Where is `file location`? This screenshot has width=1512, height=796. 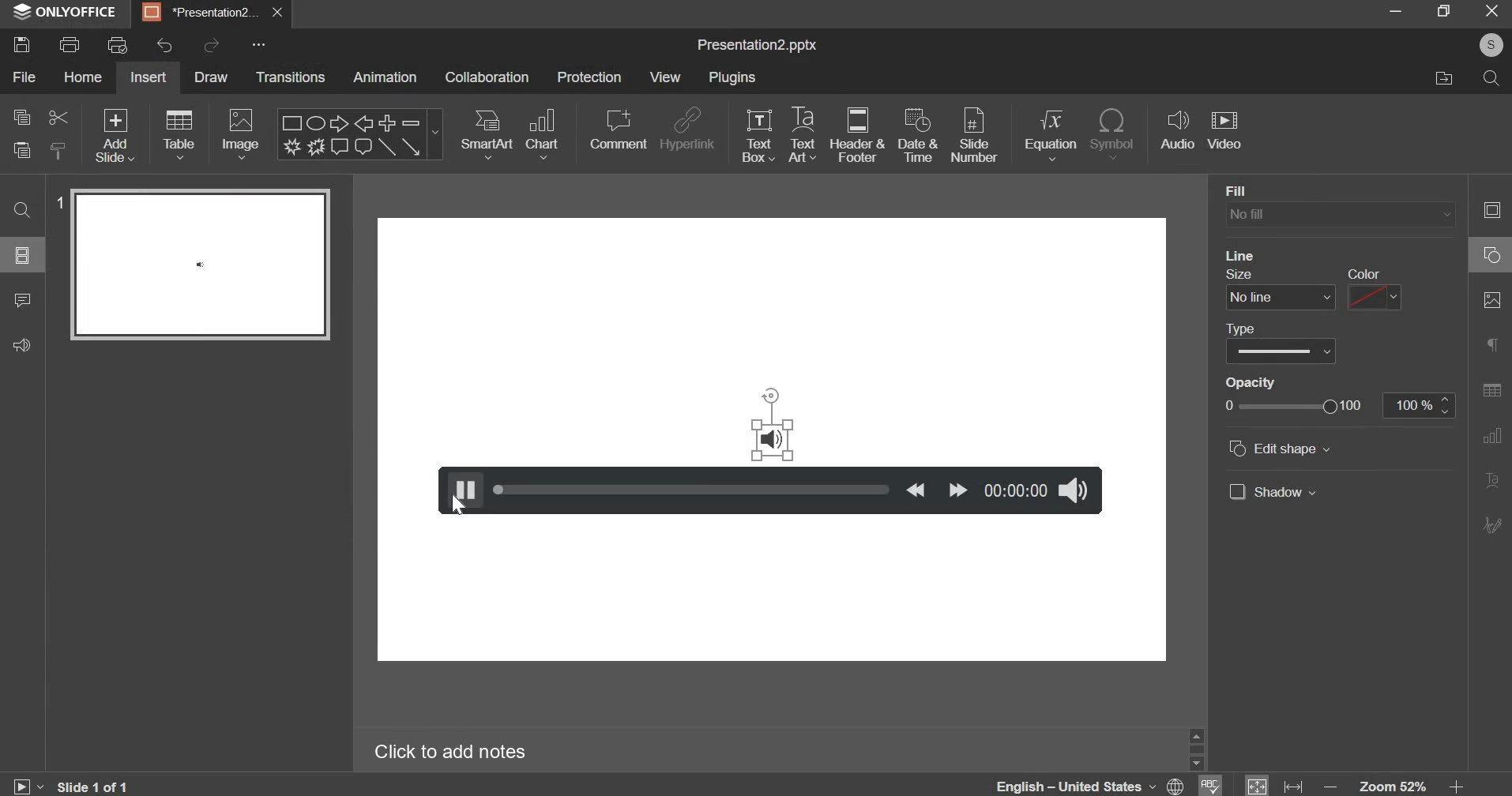
file location is located at coordinates (1452, 81).